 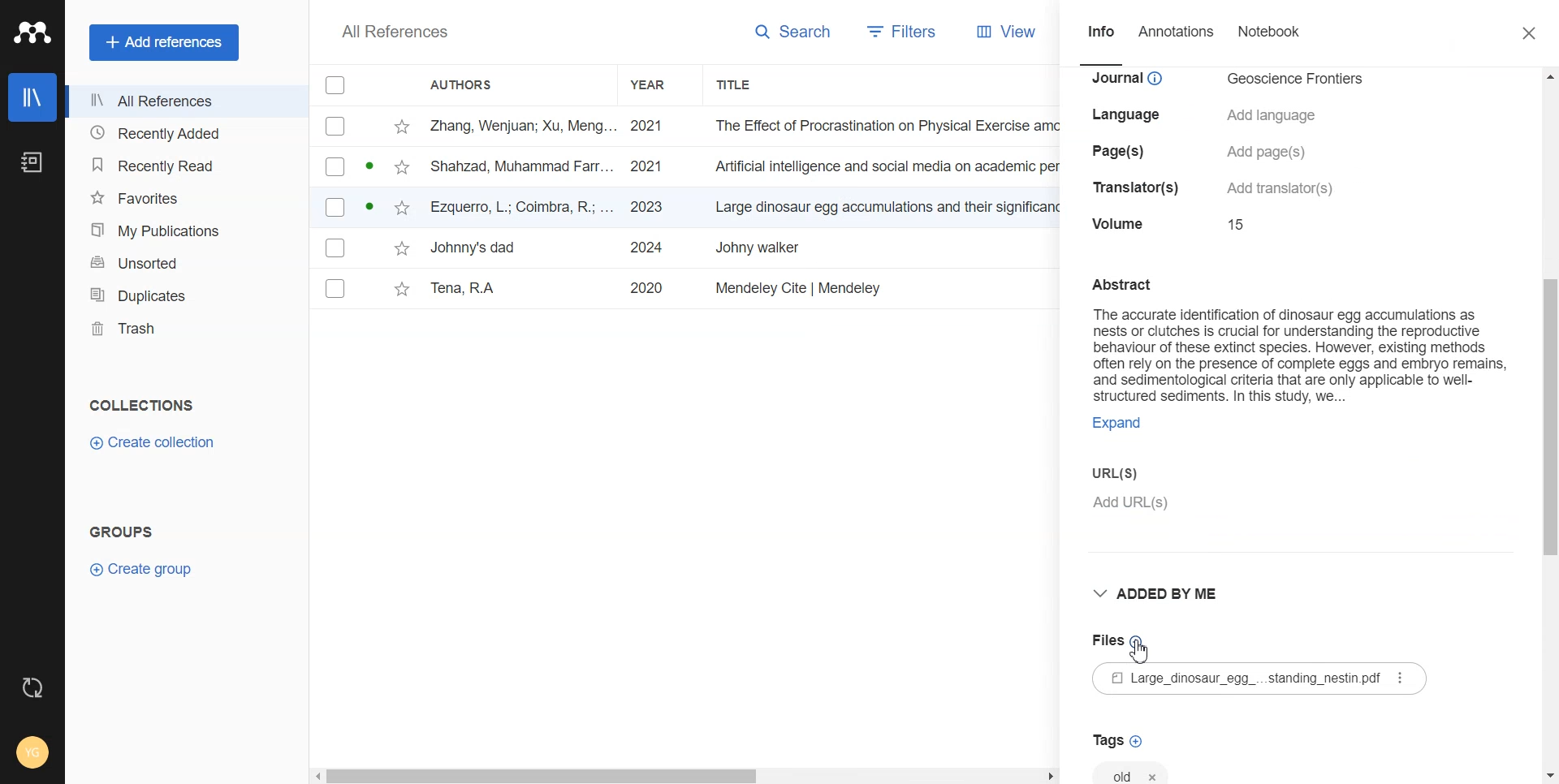 What do you see at coordinates (403, 207) in the screenshot?
I see `star` at bounding box center [403, 207].